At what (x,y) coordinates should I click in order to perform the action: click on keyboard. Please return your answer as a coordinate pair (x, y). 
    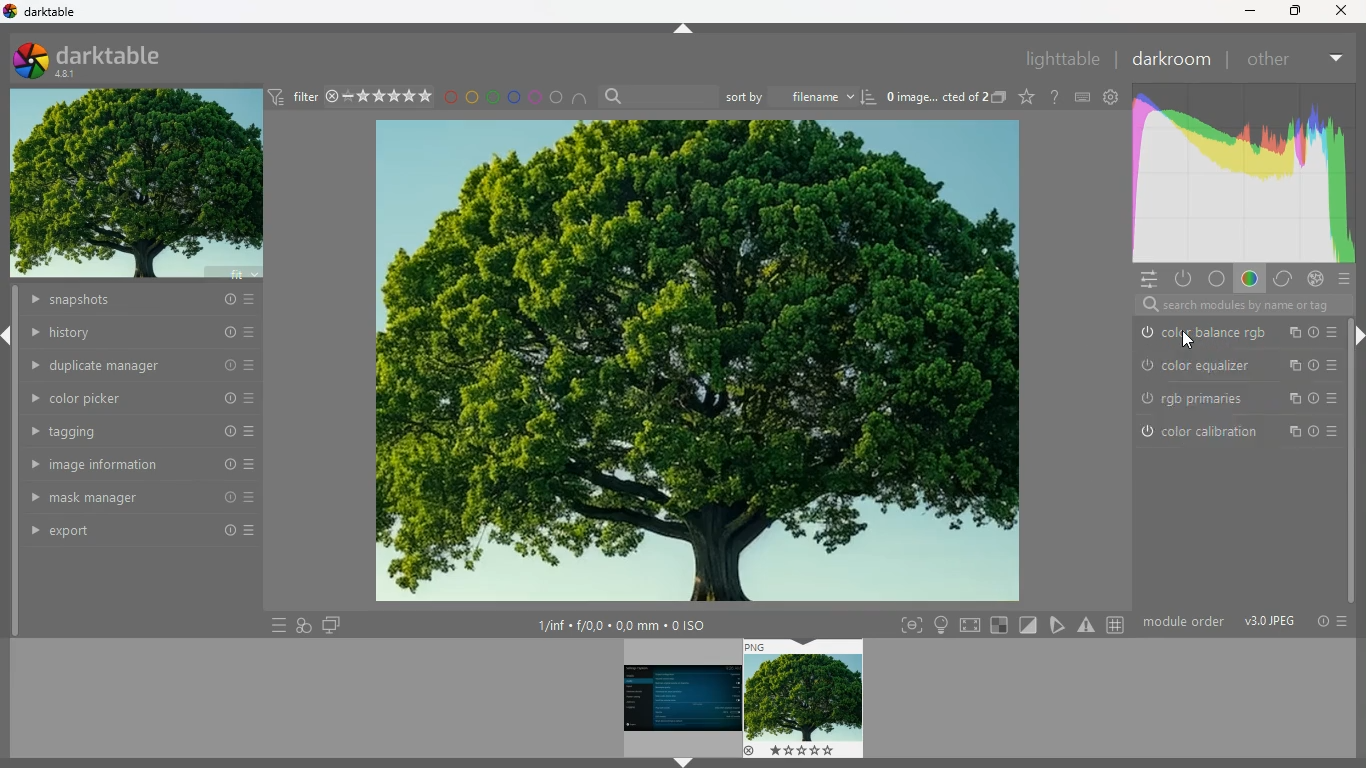
    Looking at the image, I should click on (1083, 97).